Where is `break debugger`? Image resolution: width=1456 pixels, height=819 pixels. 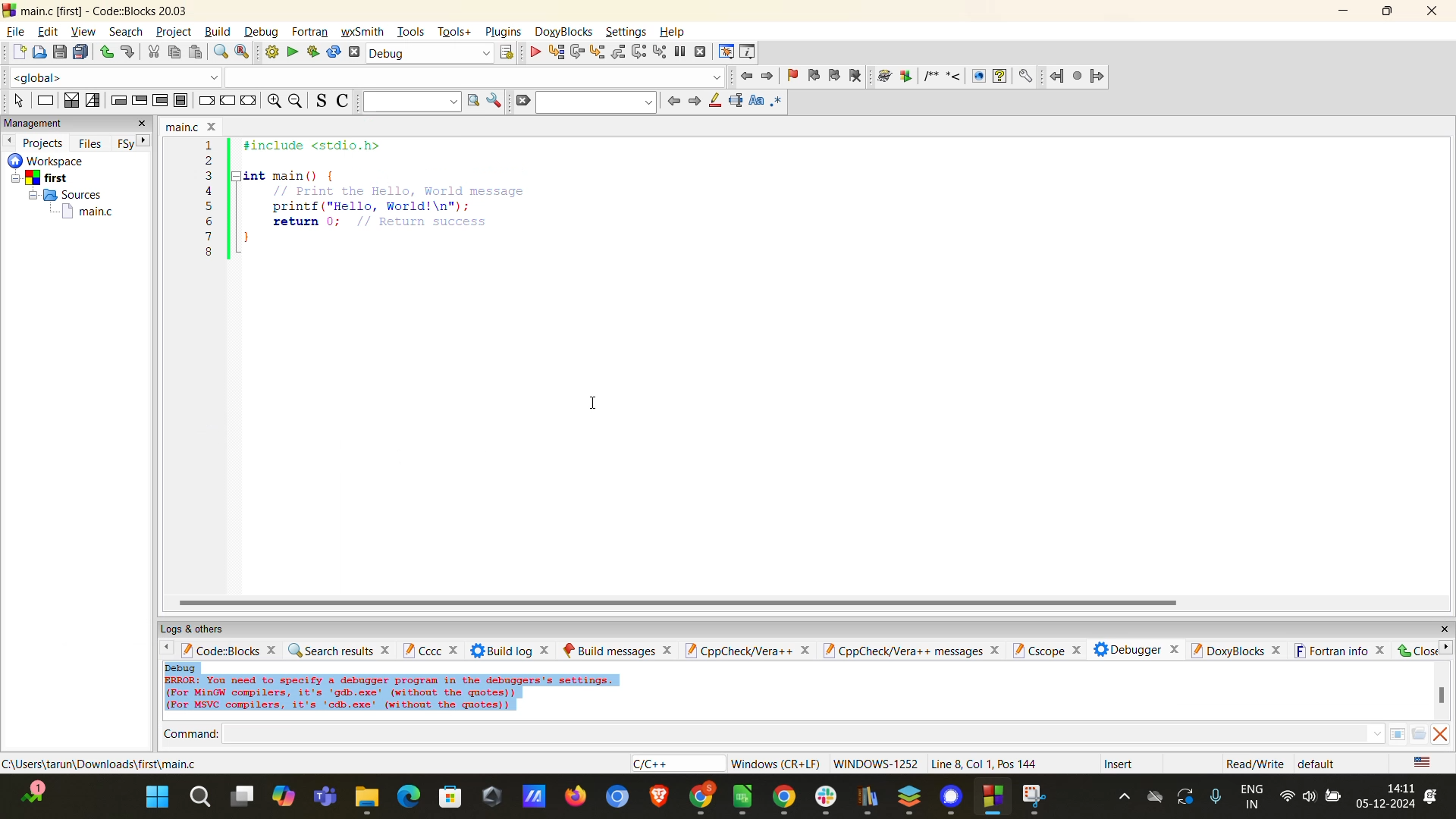
break debugger is located at coordinates (681, 54).